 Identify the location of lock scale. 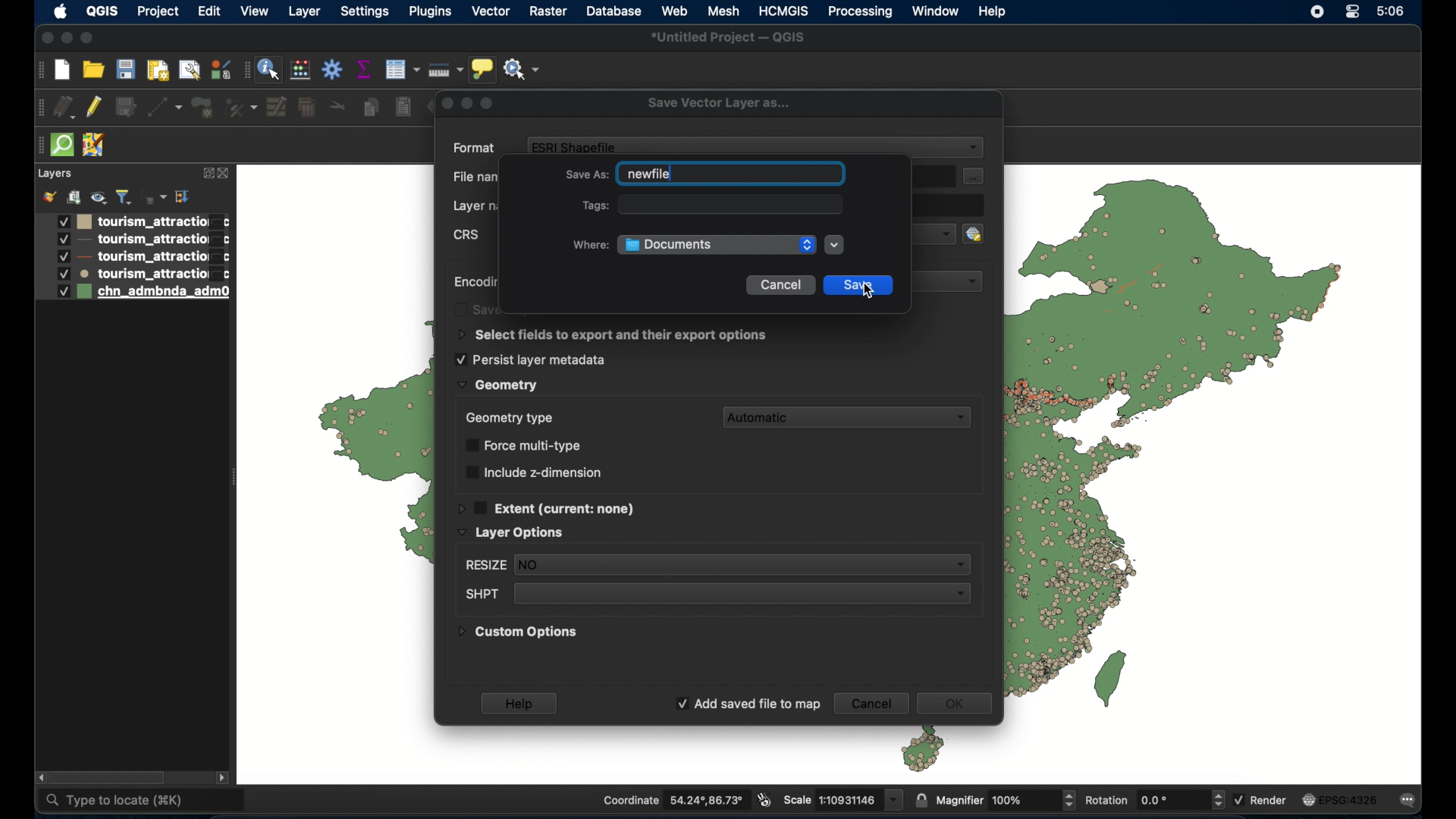
(921, 798).